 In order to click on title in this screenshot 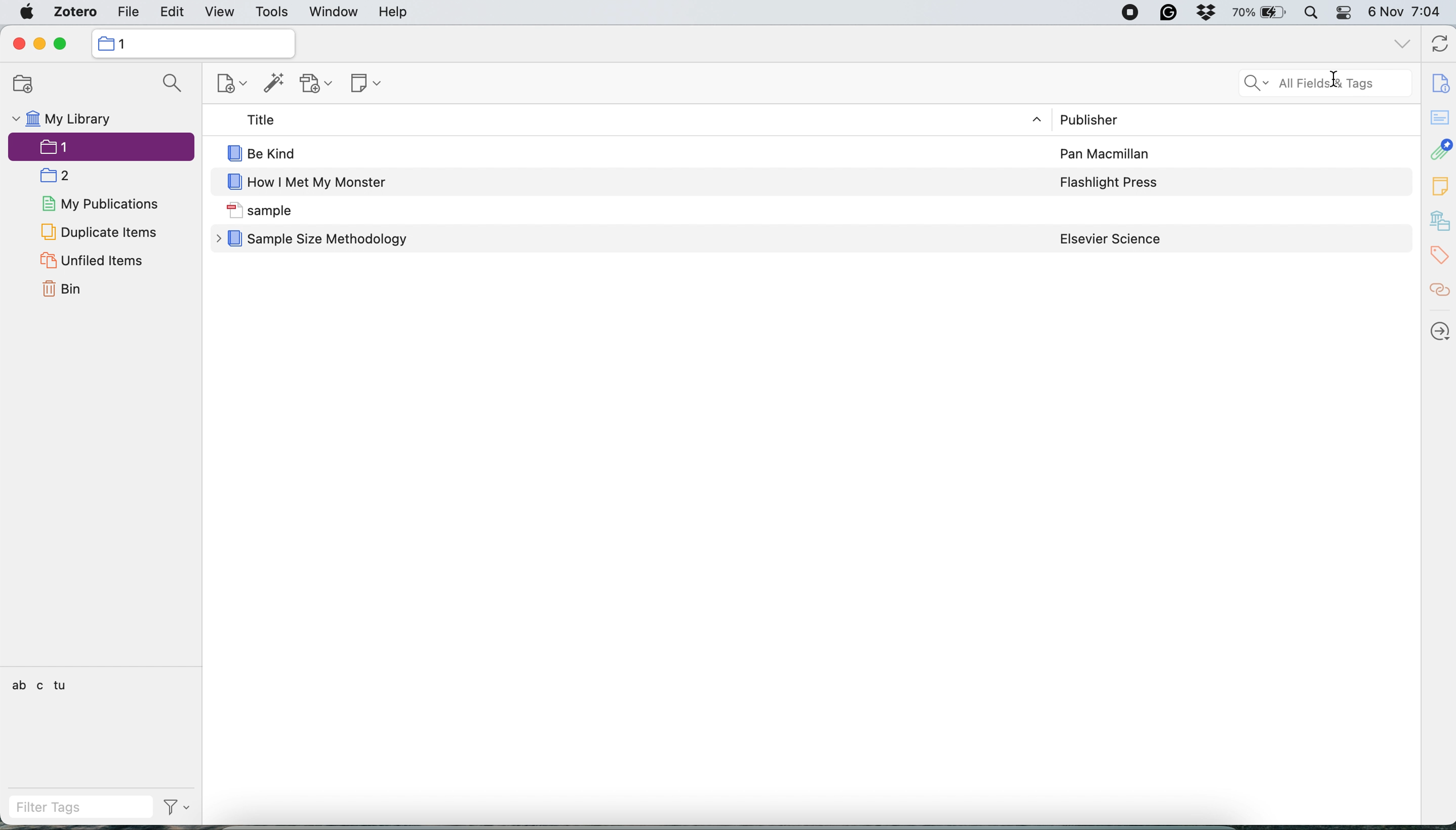, I will do `click(256, 120)`.